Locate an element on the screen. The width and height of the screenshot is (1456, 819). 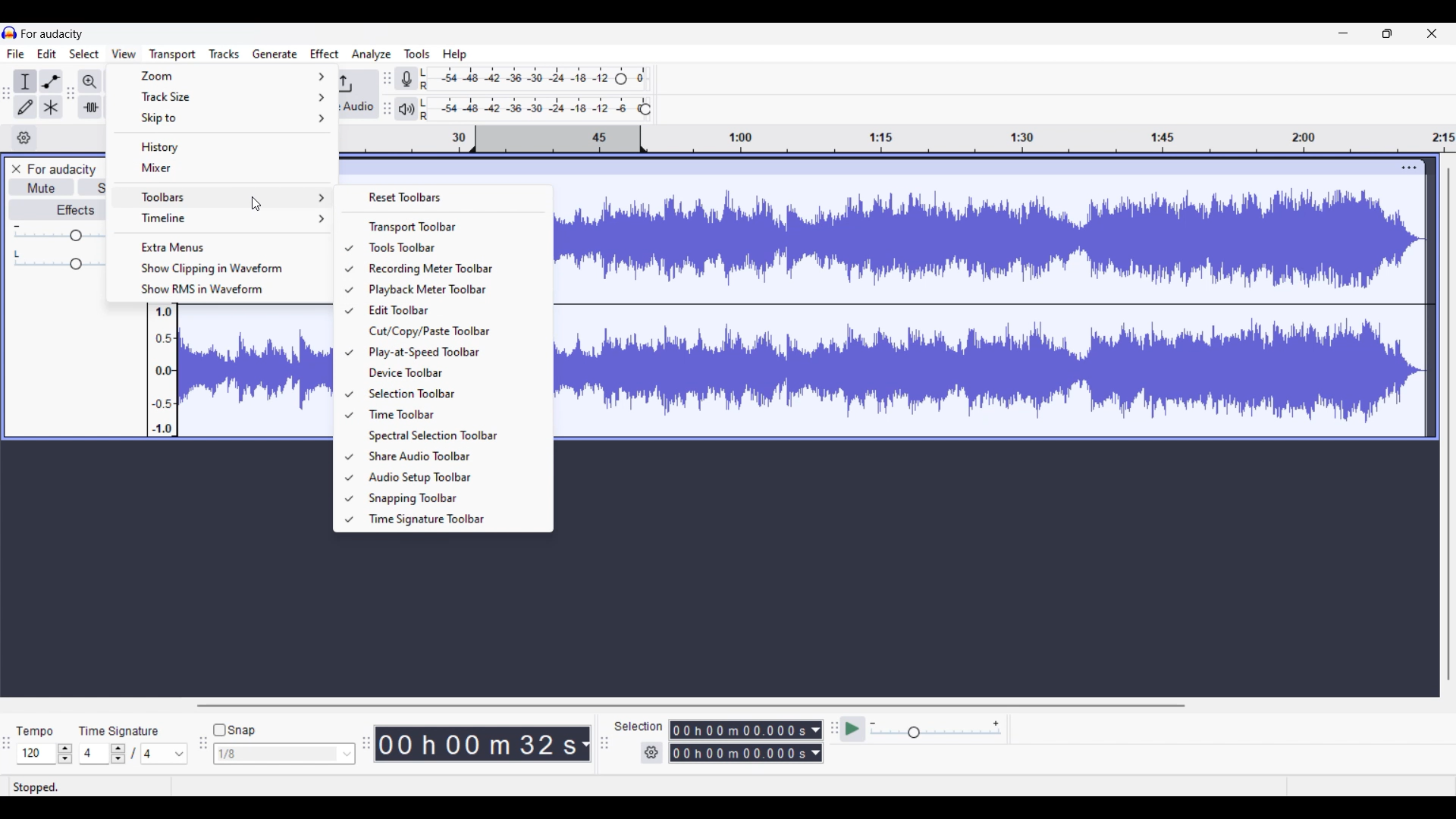
Pan scale is located at coordinates (58, 259).